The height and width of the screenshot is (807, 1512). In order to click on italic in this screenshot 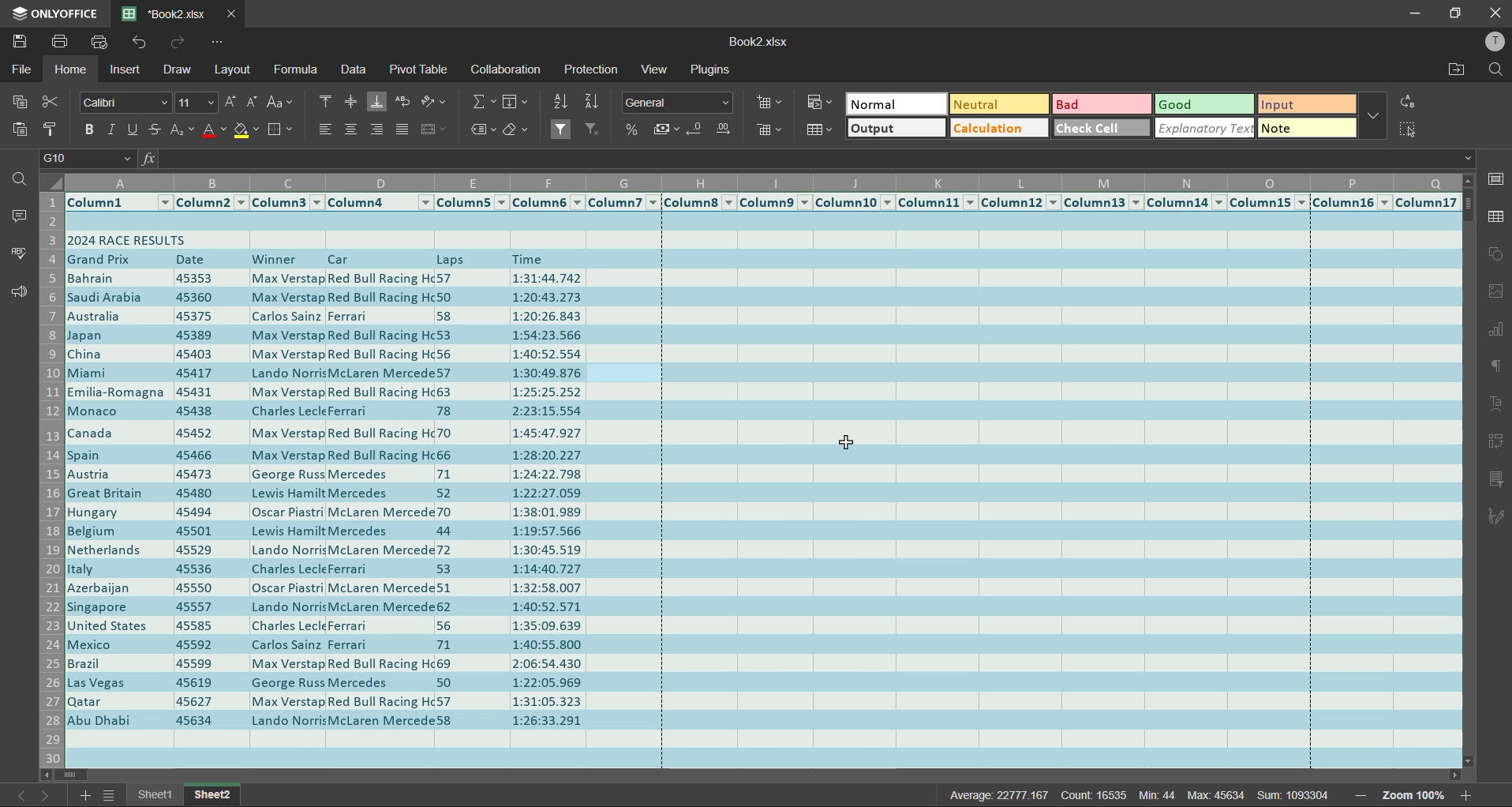, I will do `click(113, 130)`.